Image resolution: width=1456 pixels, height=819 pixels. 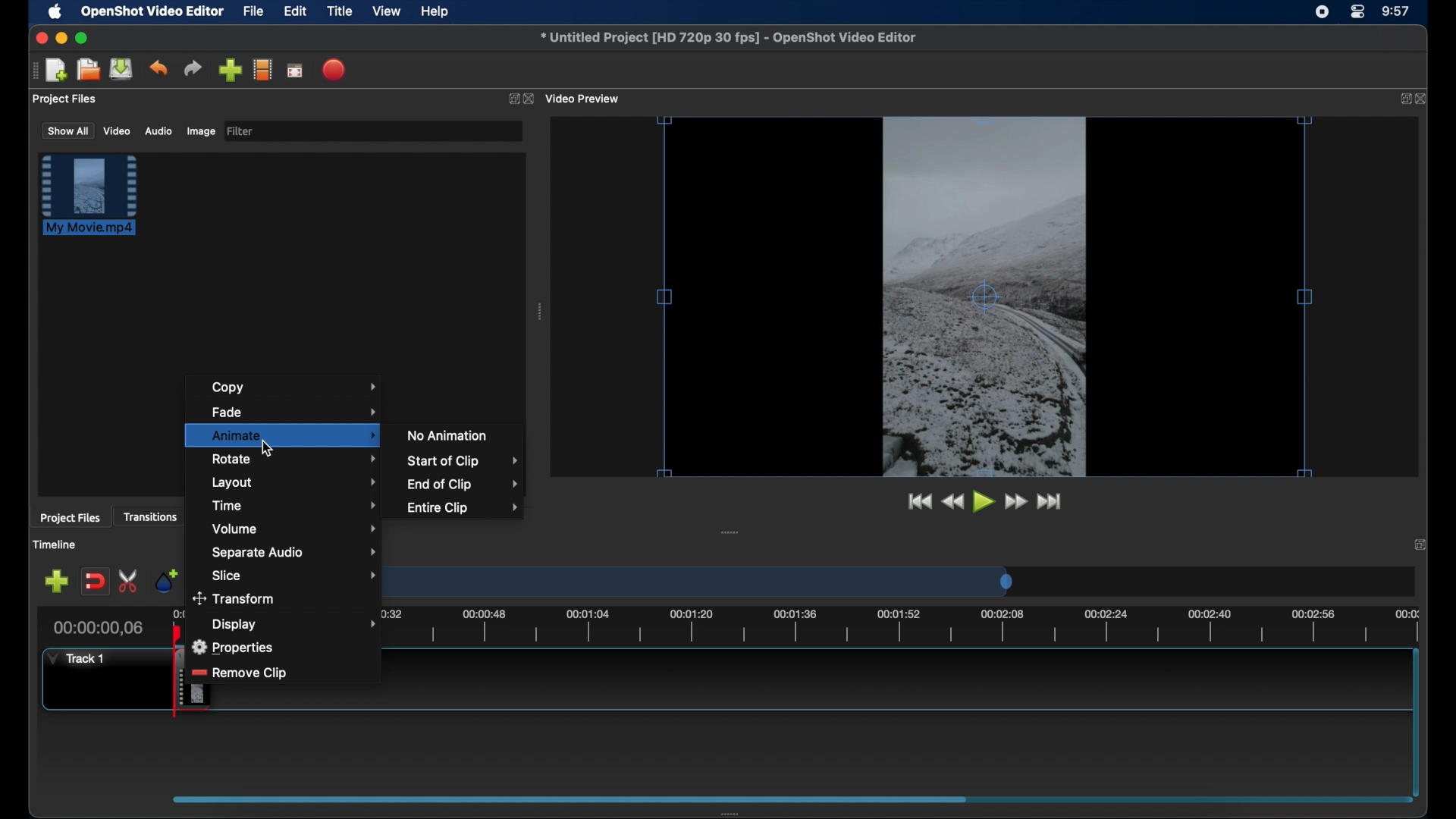 I want to click on file, so click(x=254, y=12).